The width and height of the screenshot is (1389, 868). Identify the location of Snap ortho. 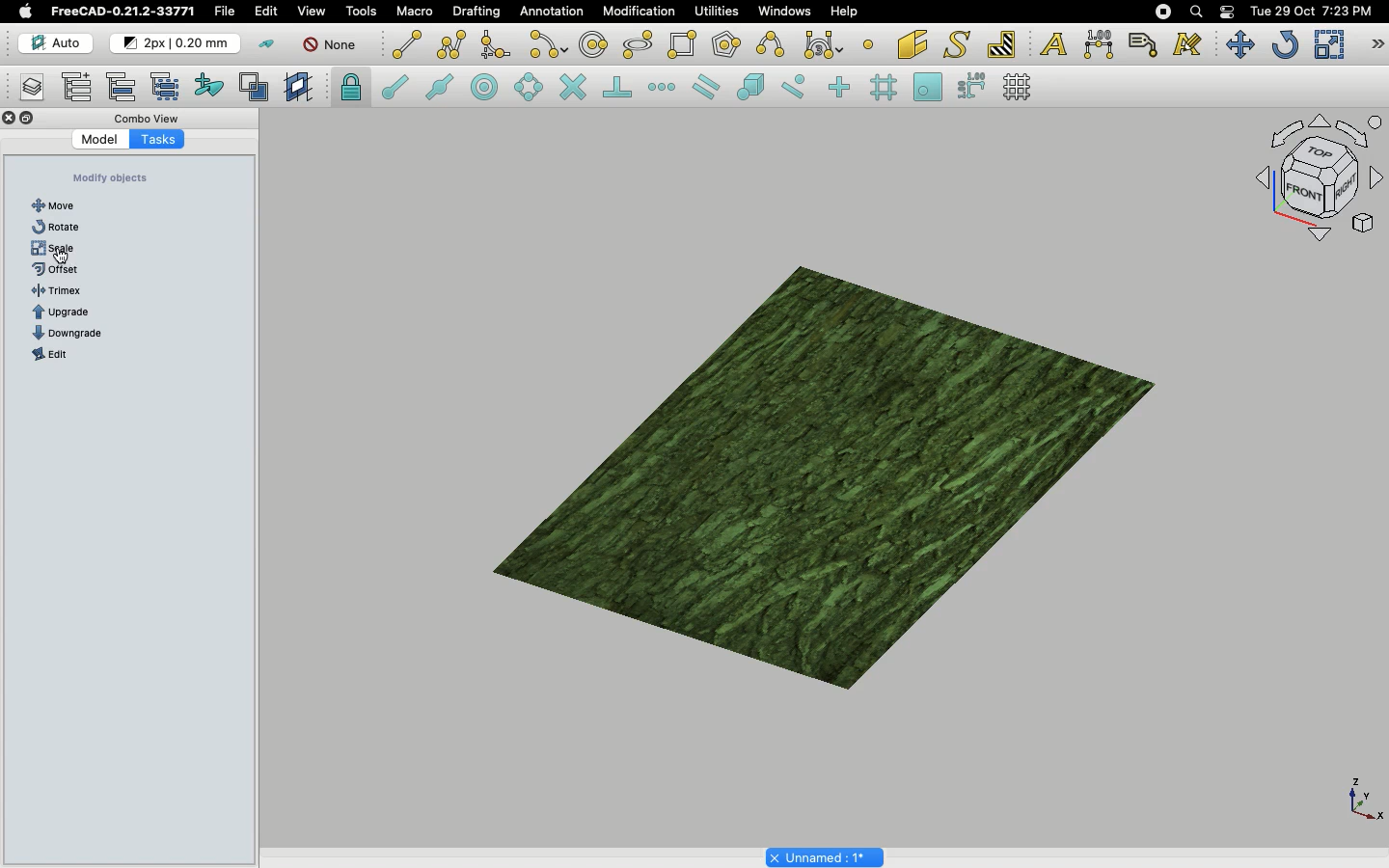
(833, 87).